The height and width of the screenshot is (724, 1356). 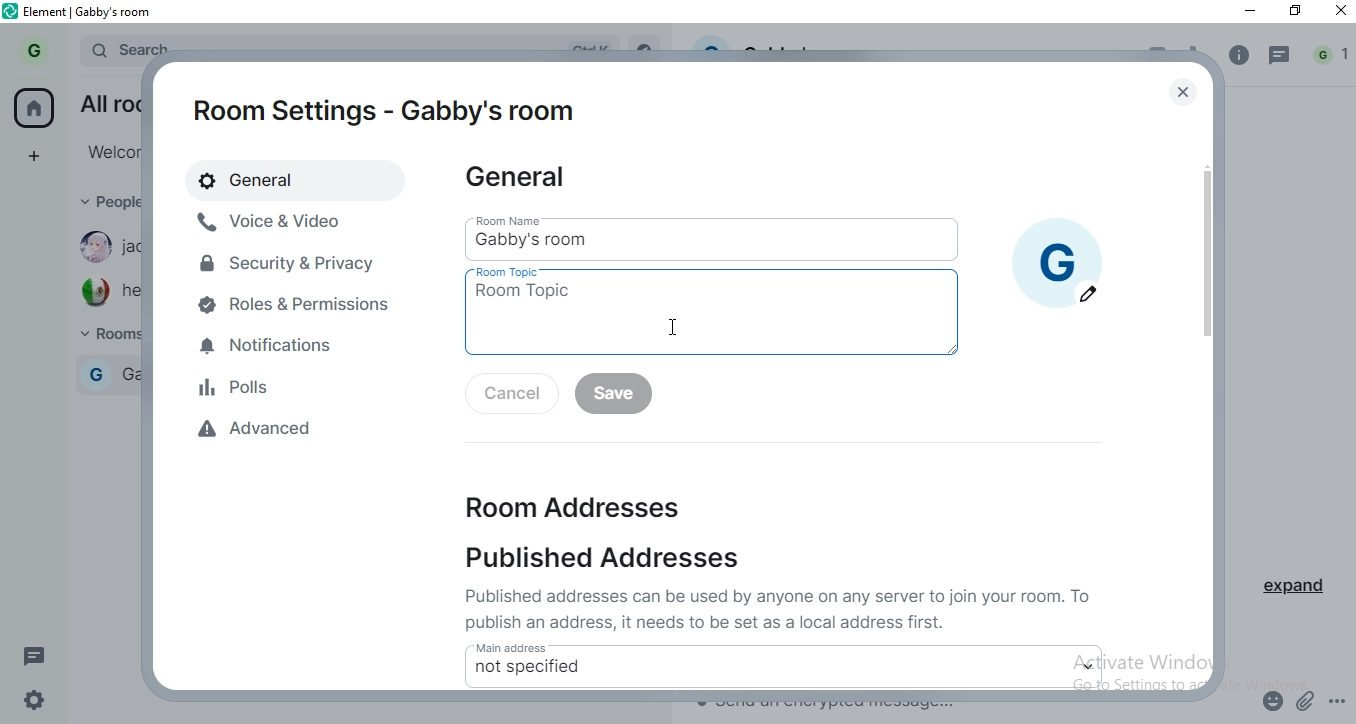 I want to click on roles & permissions, so click(x=298, y=306).